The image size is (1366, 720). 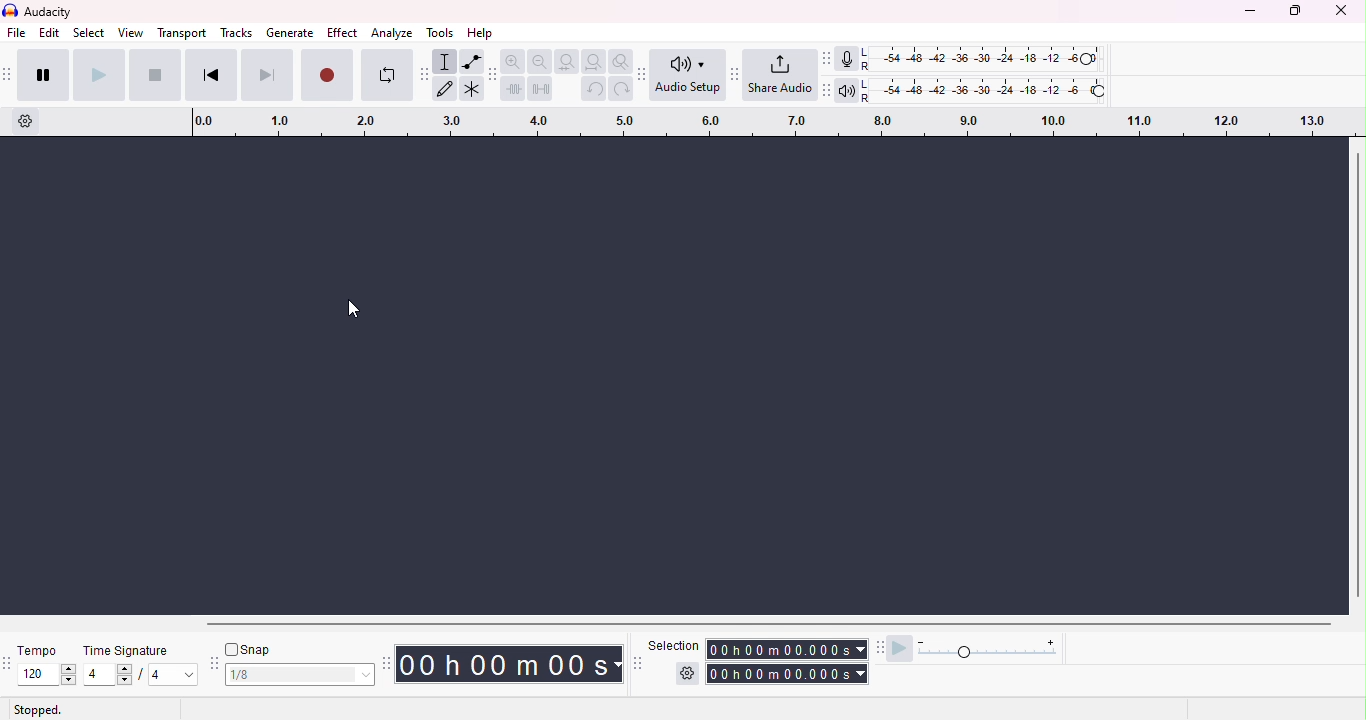 I want to click on snap tool bar, so click(x=216, y=664).